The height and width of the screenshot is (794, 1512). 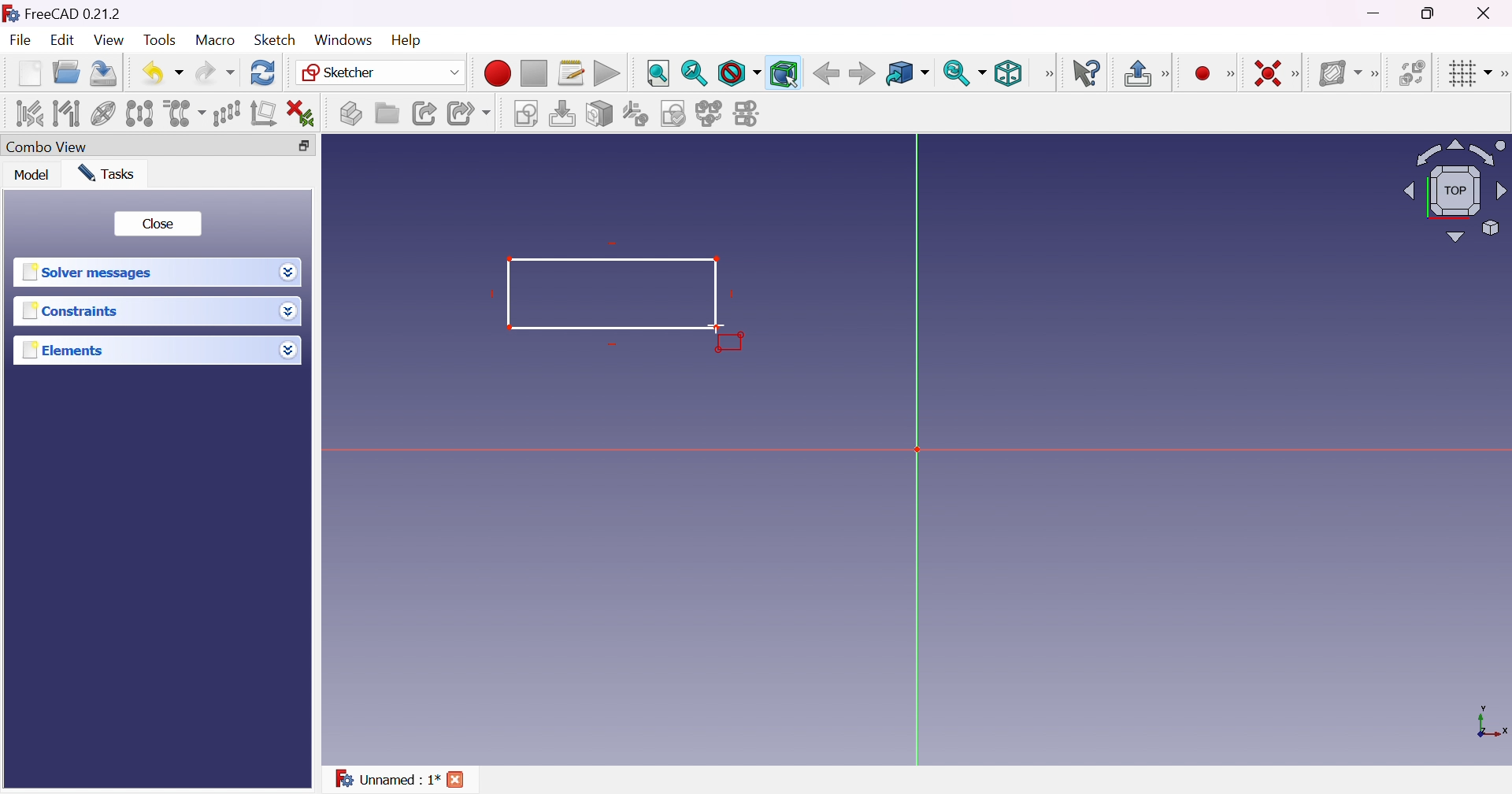 I want to click on icon, so click(x=10, y=13).